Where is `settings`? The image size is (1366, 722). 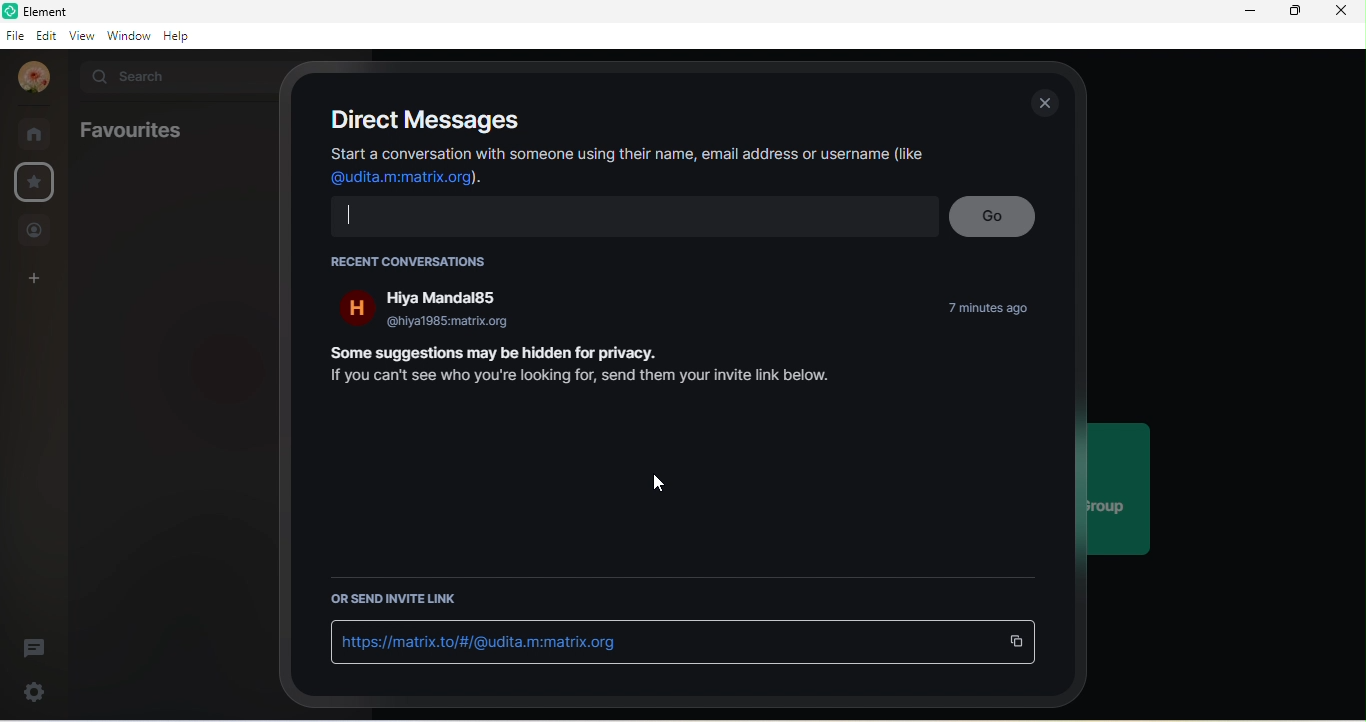
settings is located at coordinates (35, 694).